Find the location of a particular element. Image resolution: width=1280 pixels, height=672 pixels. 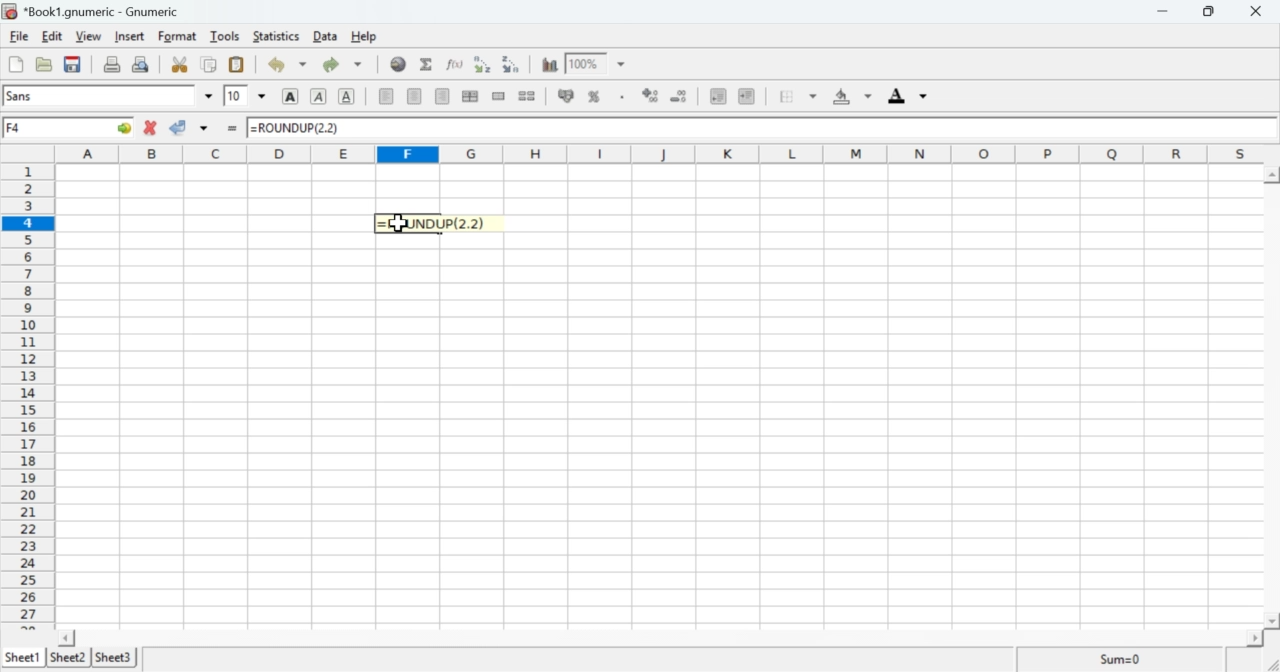

Border is located at coordinates (790, 95).